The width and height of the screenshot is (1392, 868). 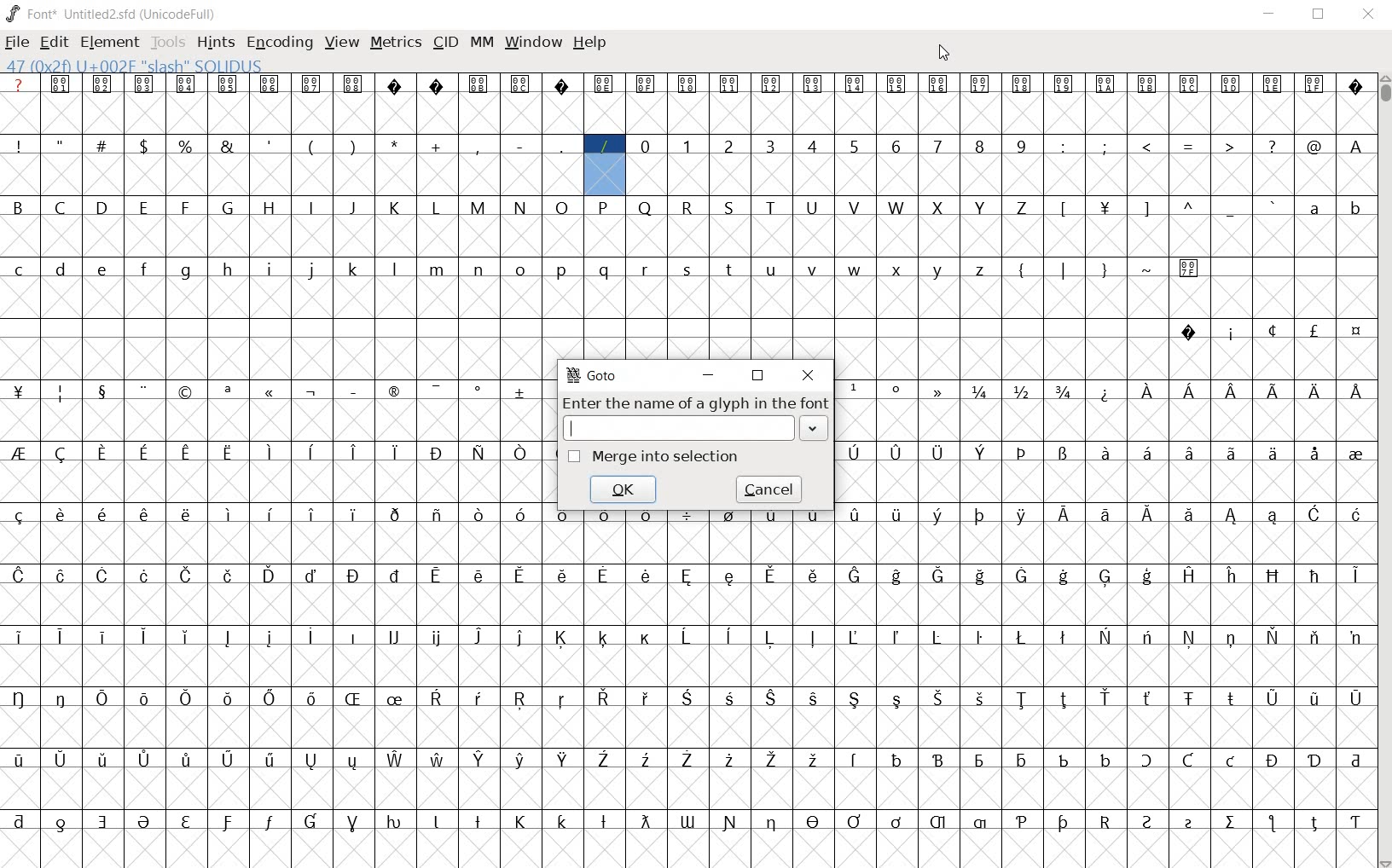 What do you see at coordinates (353, 576) in the screenshot?
I see `glyph` at bounding box center [353, 576].